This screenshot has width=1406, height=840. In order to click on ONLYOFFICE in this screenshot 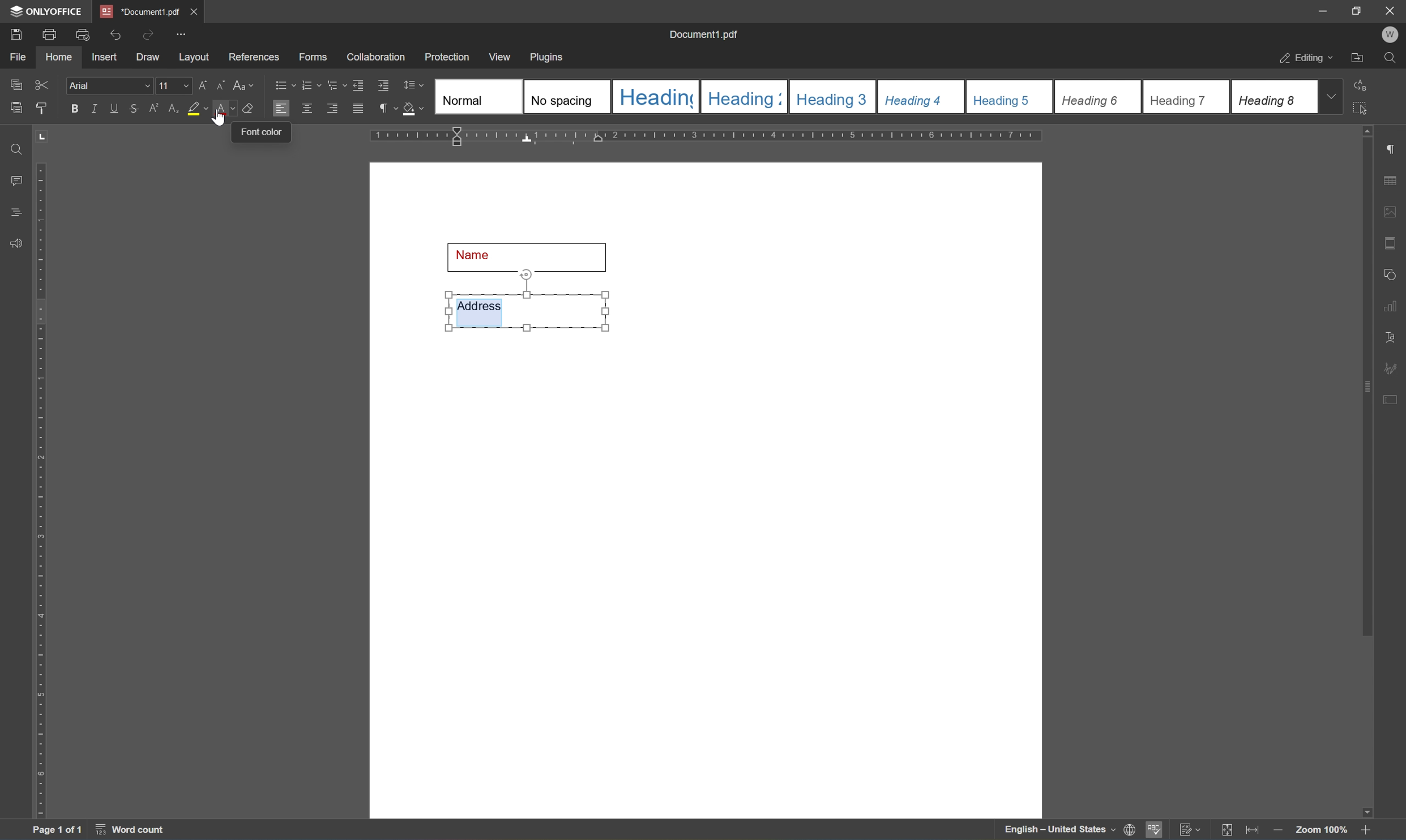, I will do `click(44, 11)`.